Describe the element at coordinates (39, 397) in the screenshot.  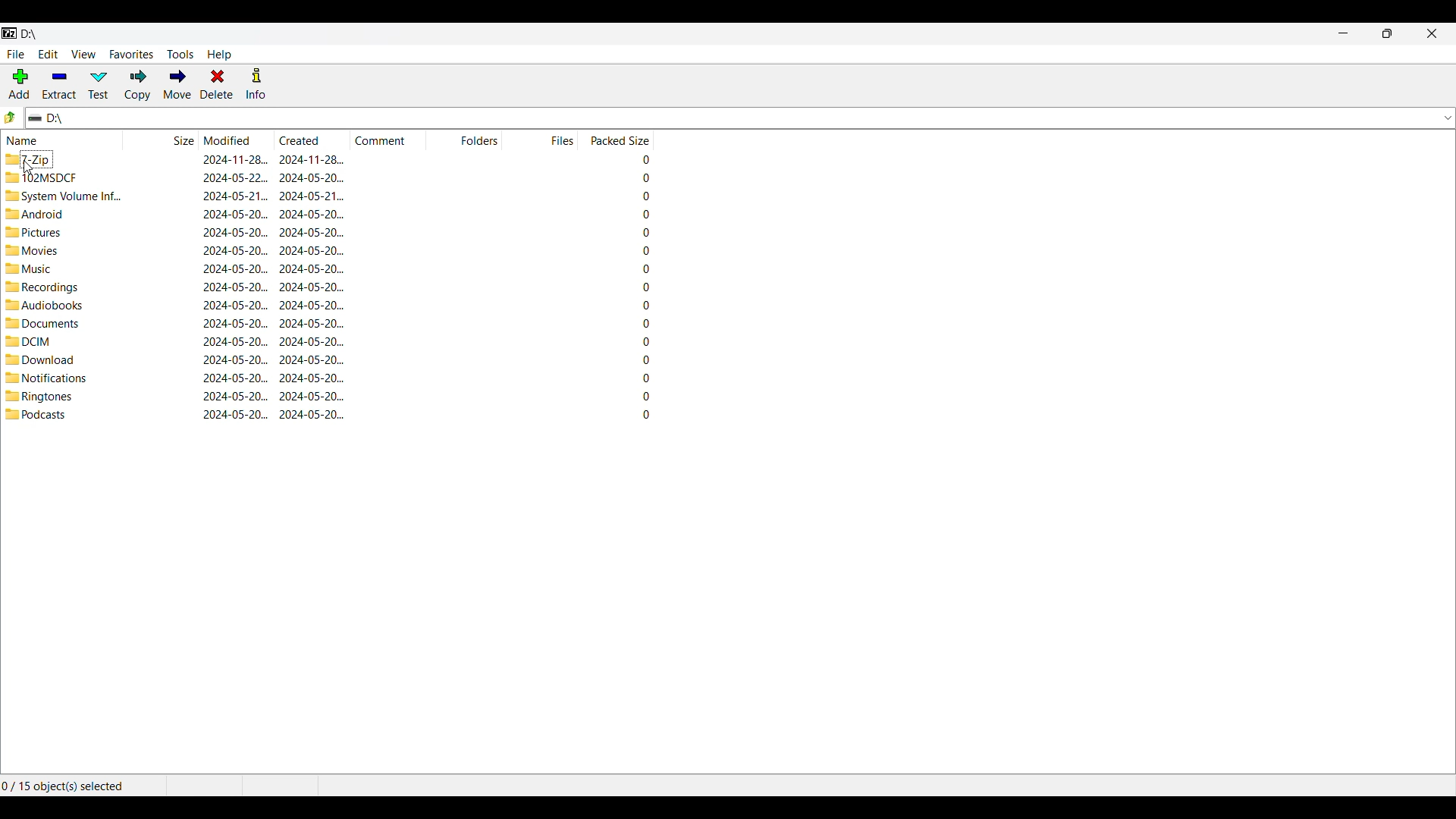
I see `folder` at that location.